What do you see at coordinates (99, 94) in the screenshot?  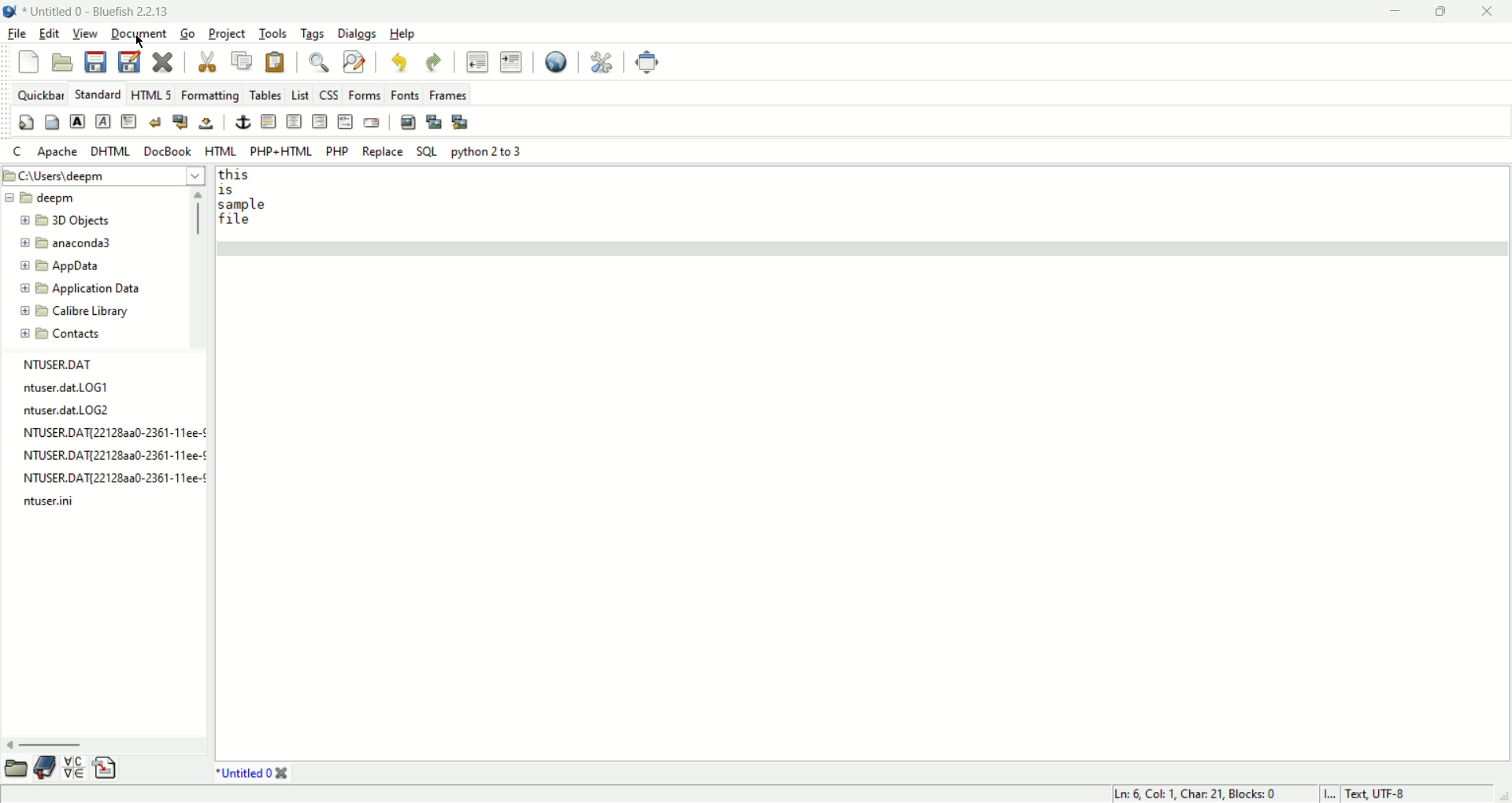 I see `standard` at bounding box center [99, 94].